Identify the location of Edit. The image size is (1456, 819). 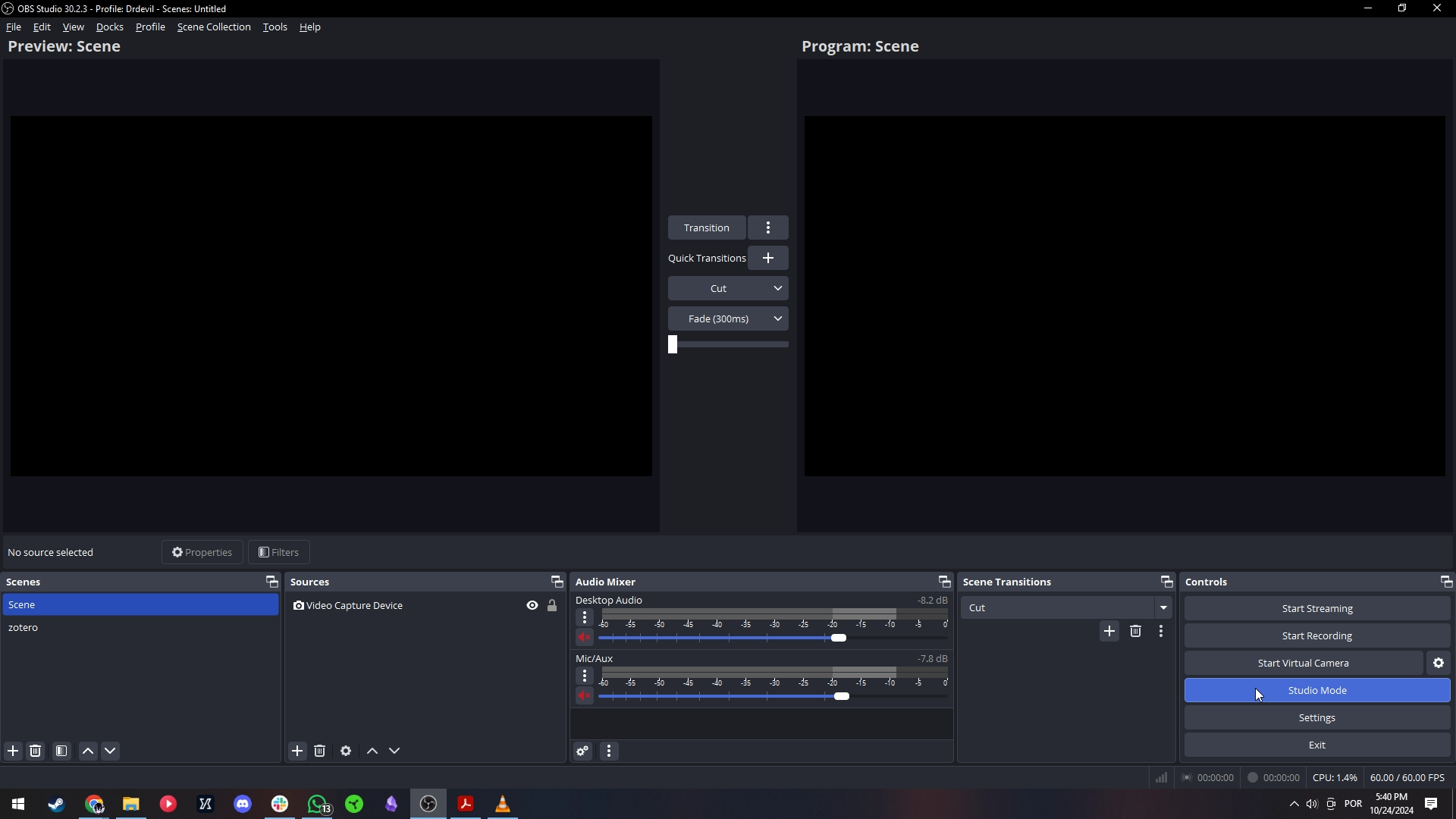
(42, 27).